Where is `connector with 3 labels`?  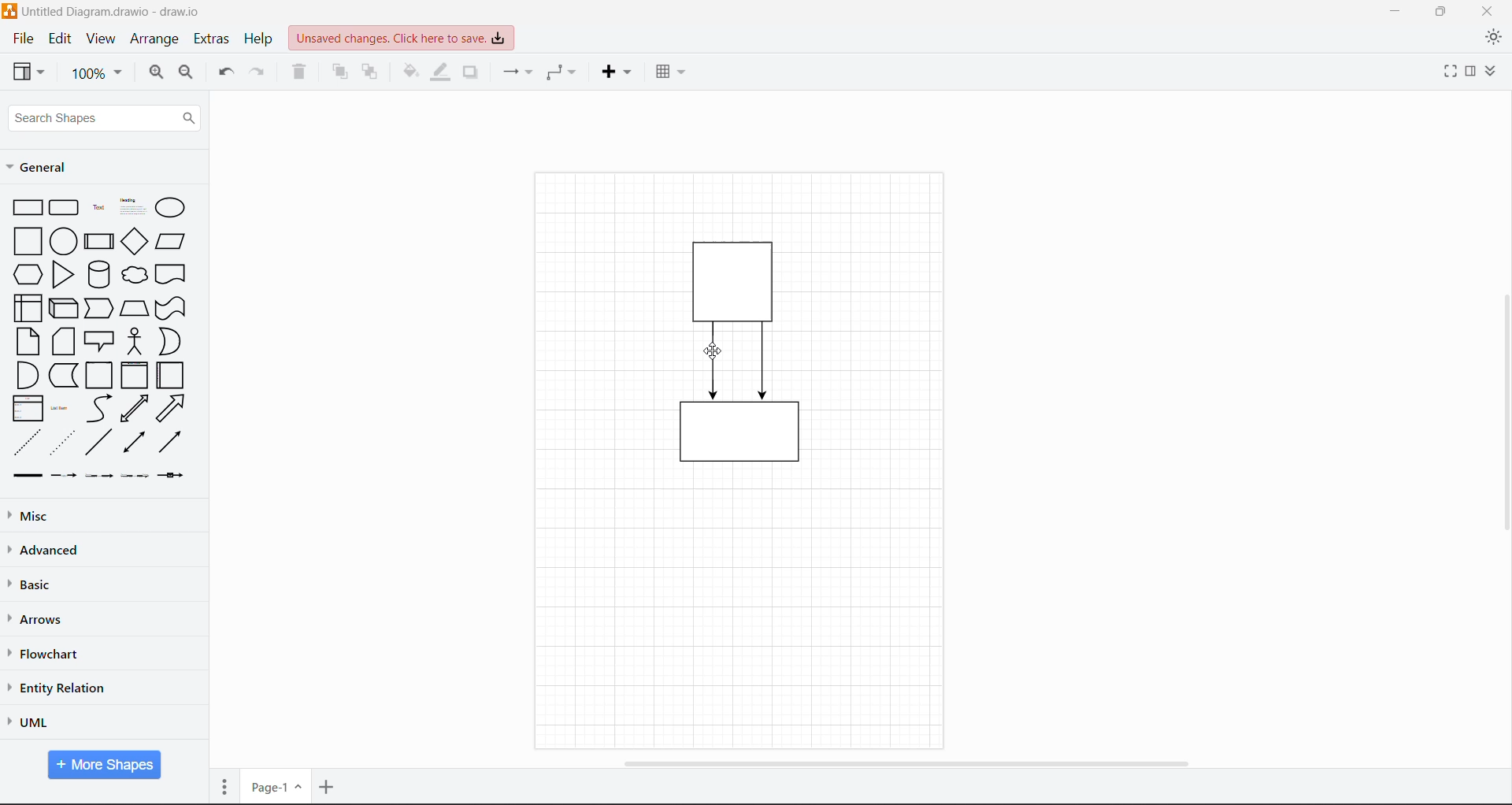 connector with 3 labels is located at coordinates (135, 476).